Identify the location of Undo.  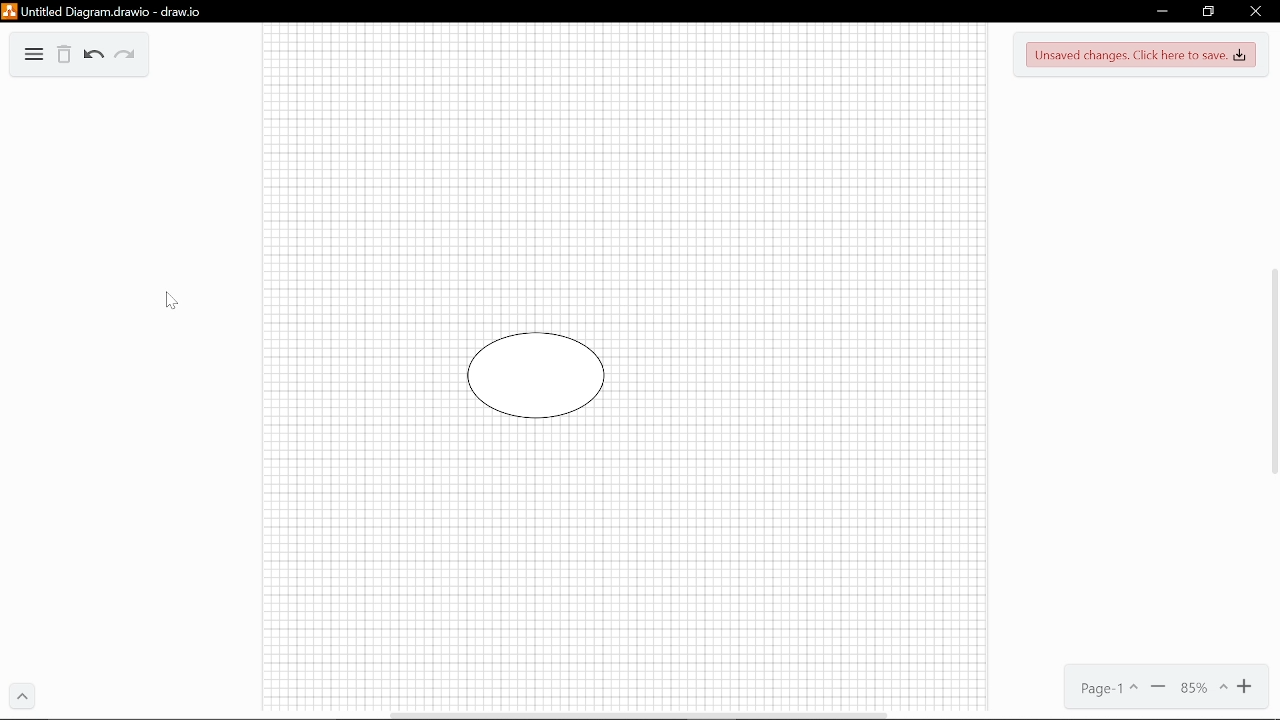
(92, 56).